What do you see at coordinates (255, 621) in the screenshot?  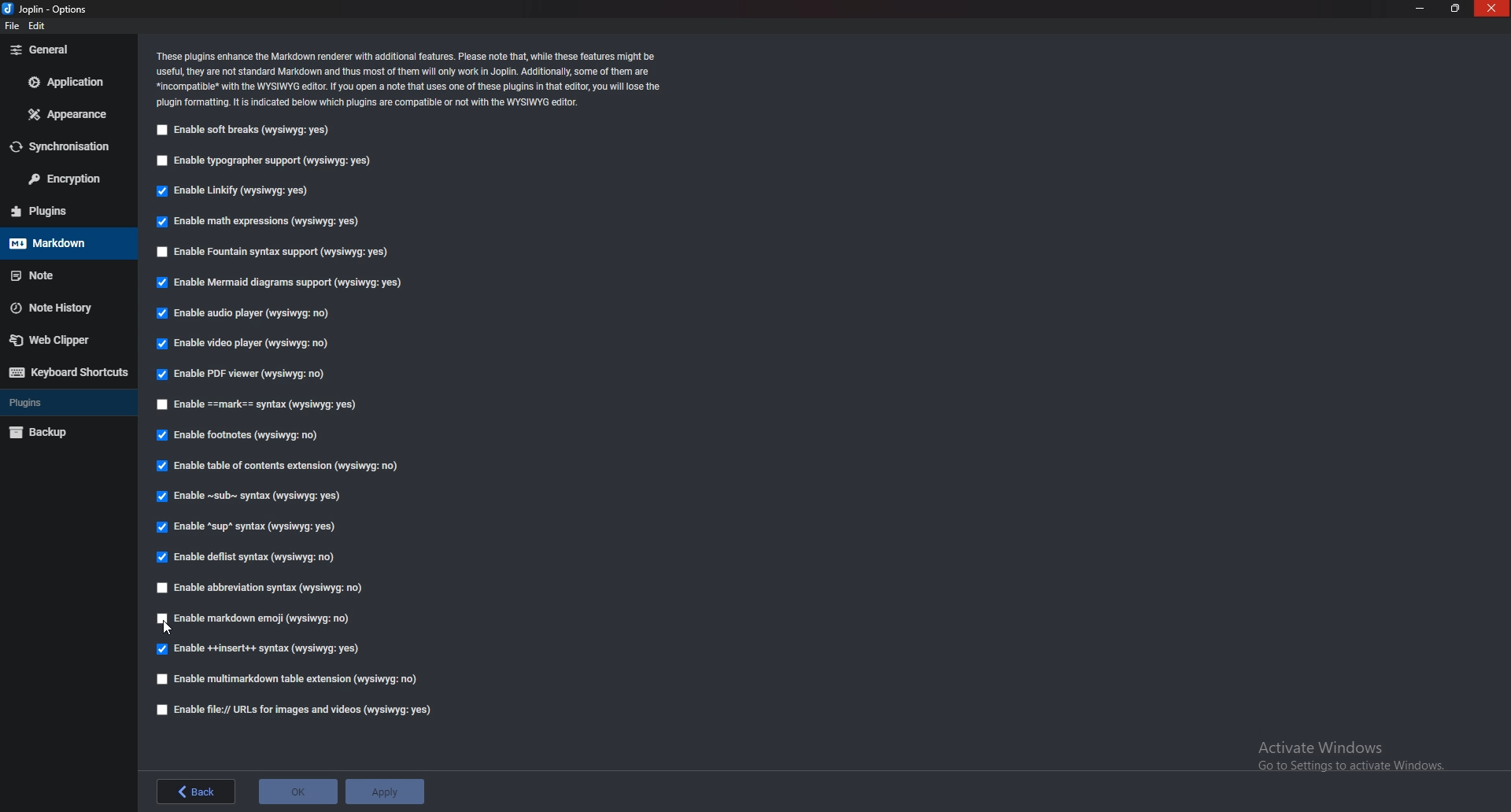 I see `Enable Markdown Emoji` at bounding box center [255, 621].